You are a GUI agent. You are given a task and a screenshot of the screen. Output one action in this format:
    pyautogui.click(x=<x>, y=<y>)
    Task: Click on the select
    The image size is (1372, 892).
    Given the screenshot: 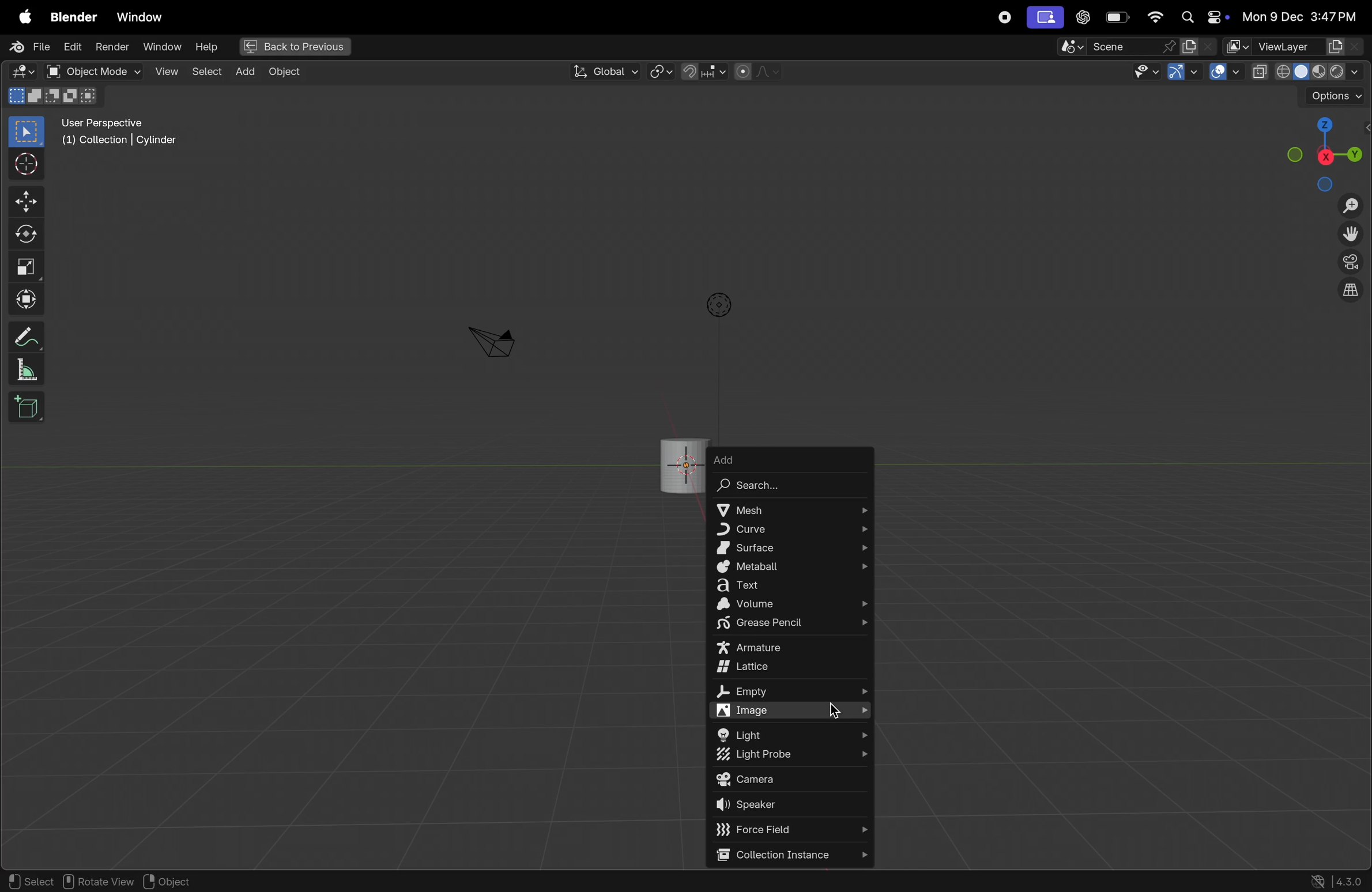 What is the action you would take?
    pyautogui.click(x=29, y=881)
    